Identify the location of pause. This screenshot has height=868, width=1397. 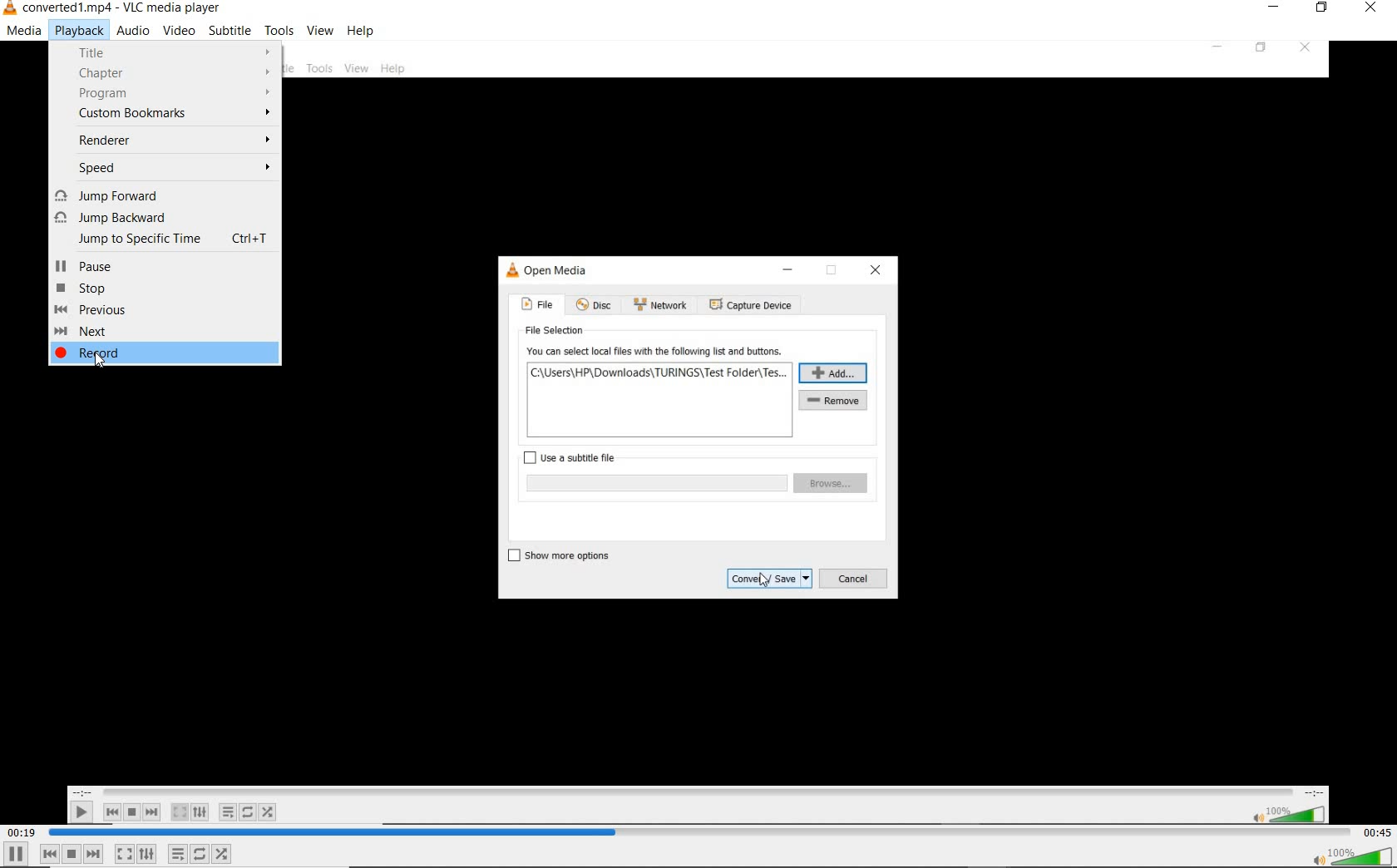
(17, 854).